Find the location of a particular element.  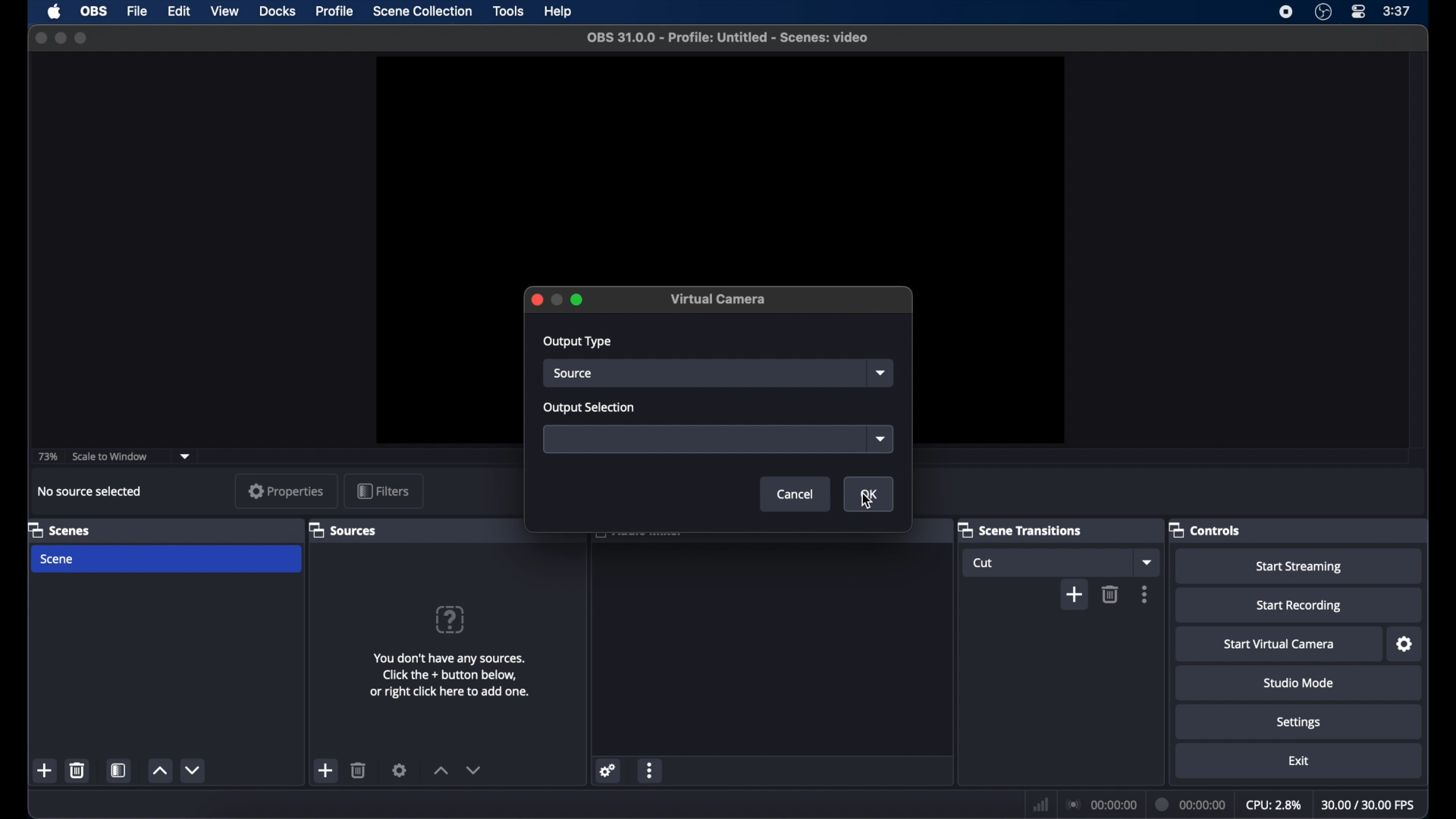

Output Selection Dropdown is located at coordinates (719, 441).